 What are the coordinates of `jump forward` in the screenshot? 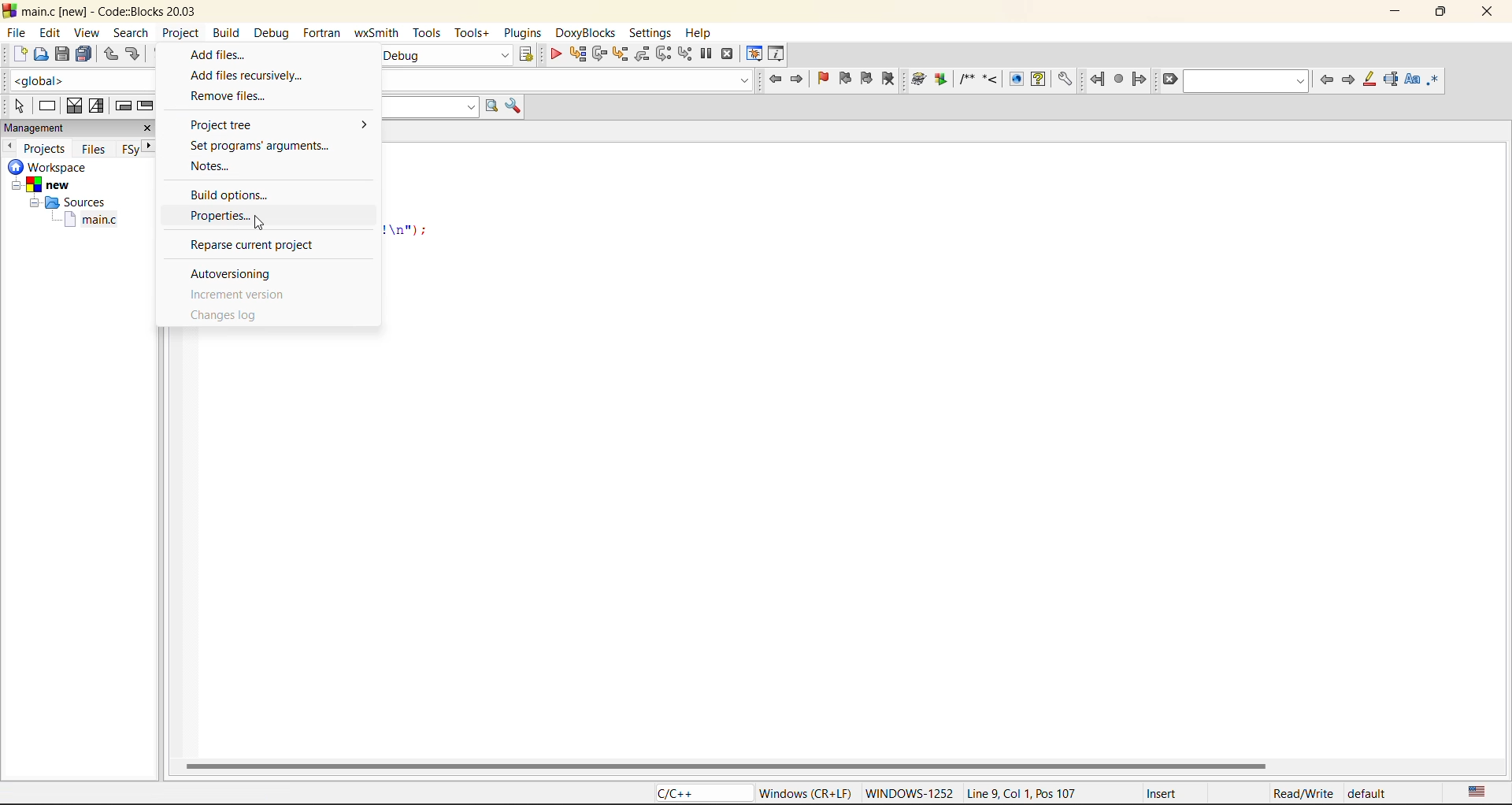 It's located at (1139, 79).